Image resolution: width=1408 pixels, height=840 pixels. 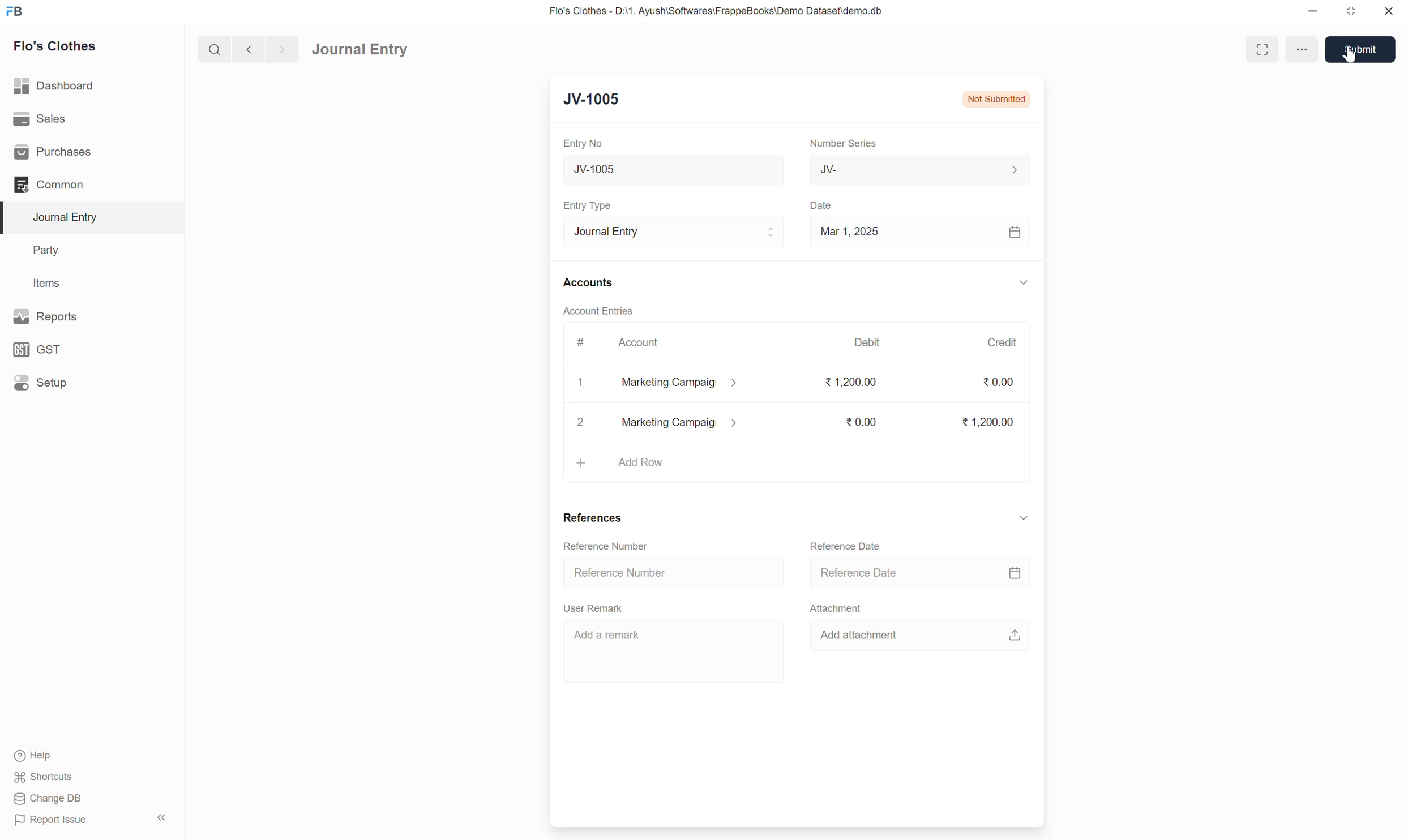 What do you see at coordinates (161, 818) in the screenshot?
I see `<<` at bounding box center [161, 818].